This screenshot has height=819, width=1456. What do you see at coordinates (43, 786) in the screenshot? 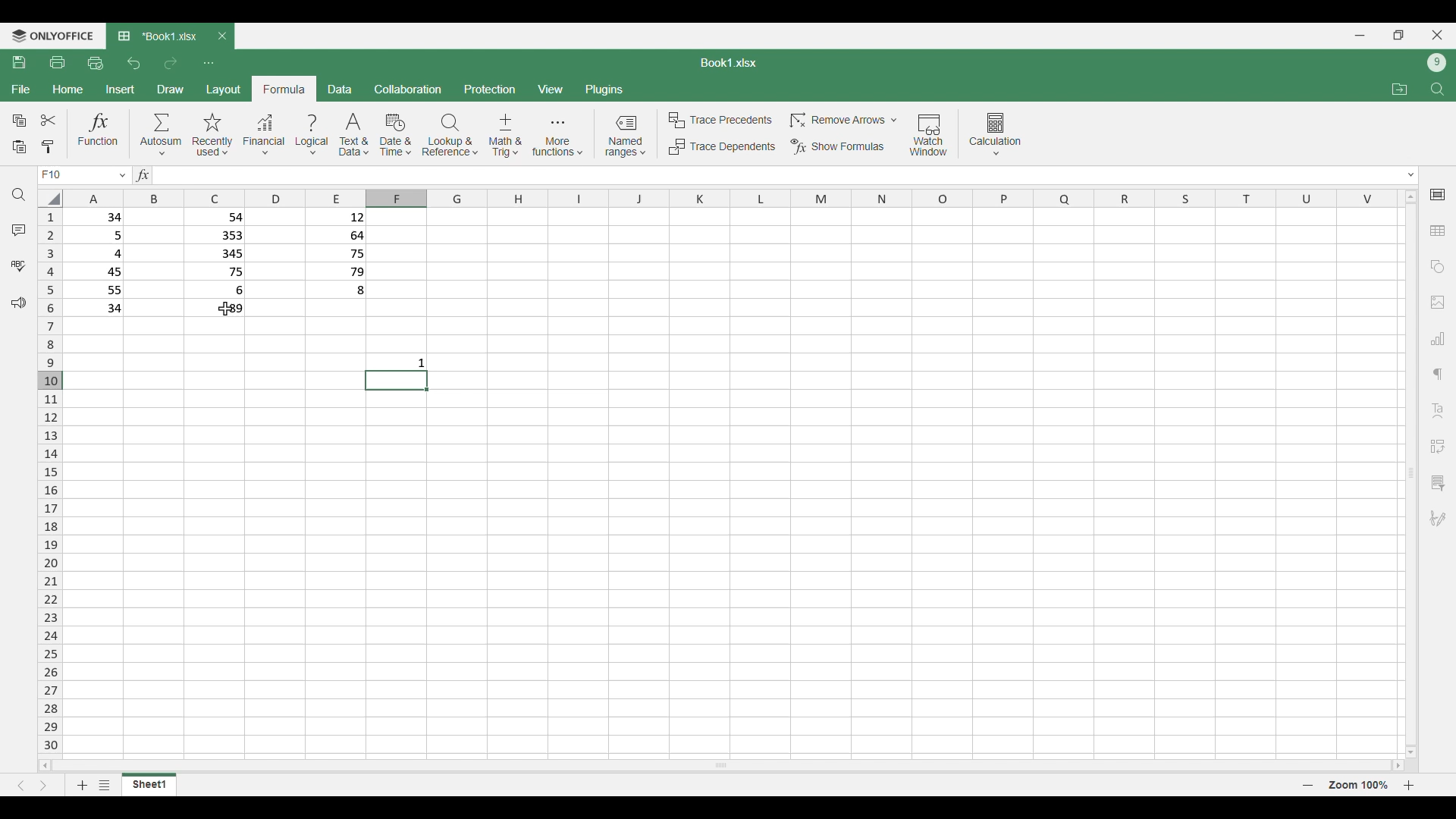
I see `Next` at bounding box center [43, 786].